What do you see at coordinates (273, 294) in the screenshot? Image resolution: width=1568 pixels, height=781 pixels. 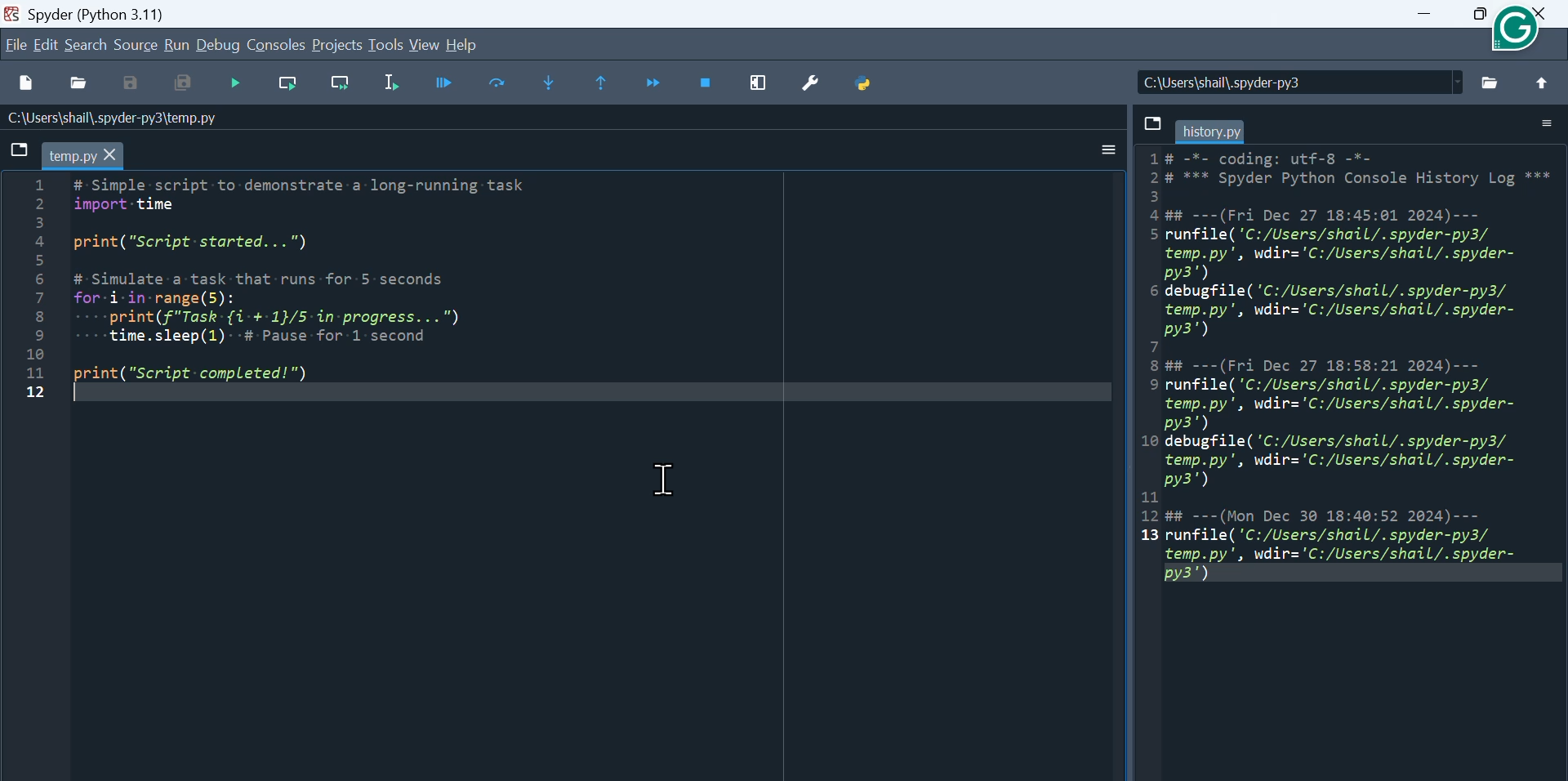 I see `1 # Simple script to-demonstrate-a- long-running task
2 import-time

5)

4 print("Script-started...")

5

6  # Simulate a task that runs for 5 seconds
7 for-i-in-range(5):

8 ----print(f"Task-{i-+-1}/5 in -progress...")
El ----time.sleep(1)- -# Pause for 1 second

10

11 print("Script-completed!")

12 |` at bounding box center [273, 294].